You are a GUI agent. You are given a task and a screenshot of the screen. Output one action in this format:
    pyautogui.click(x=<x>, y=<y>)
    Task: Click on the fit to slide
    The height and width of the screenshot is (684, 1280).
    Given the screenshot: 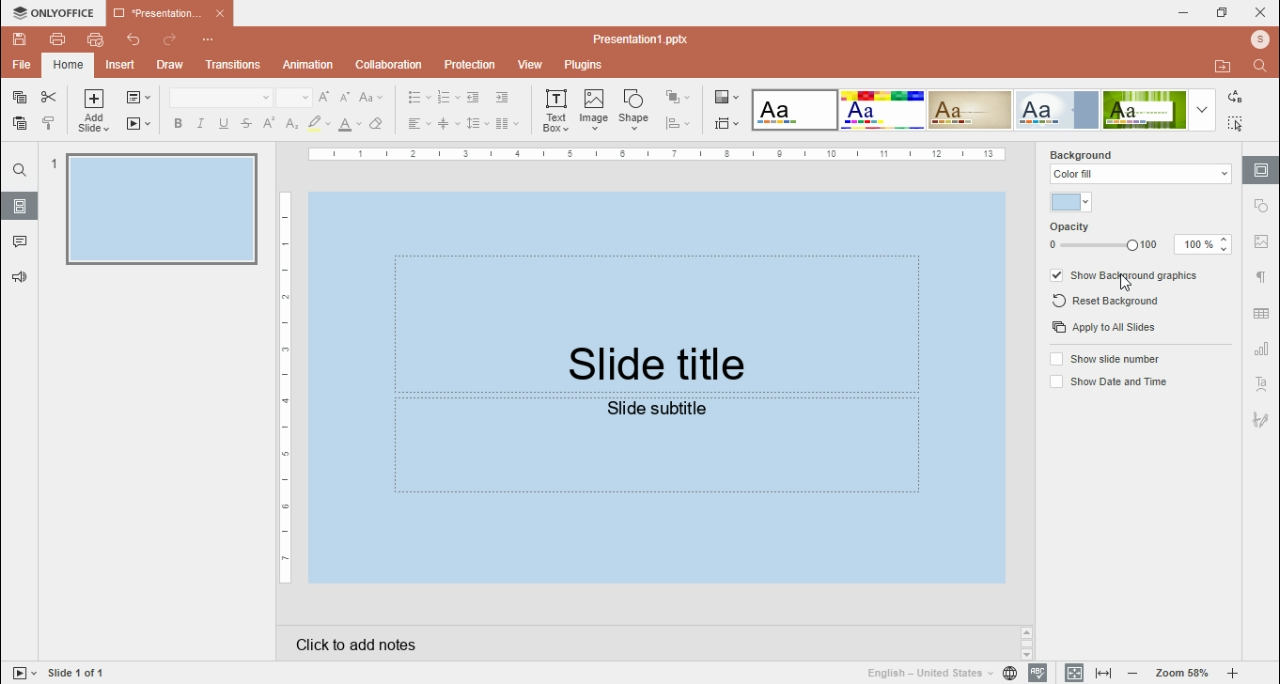 What is the action you would take?
    pyautogui.click(x=1103, y=674)
    